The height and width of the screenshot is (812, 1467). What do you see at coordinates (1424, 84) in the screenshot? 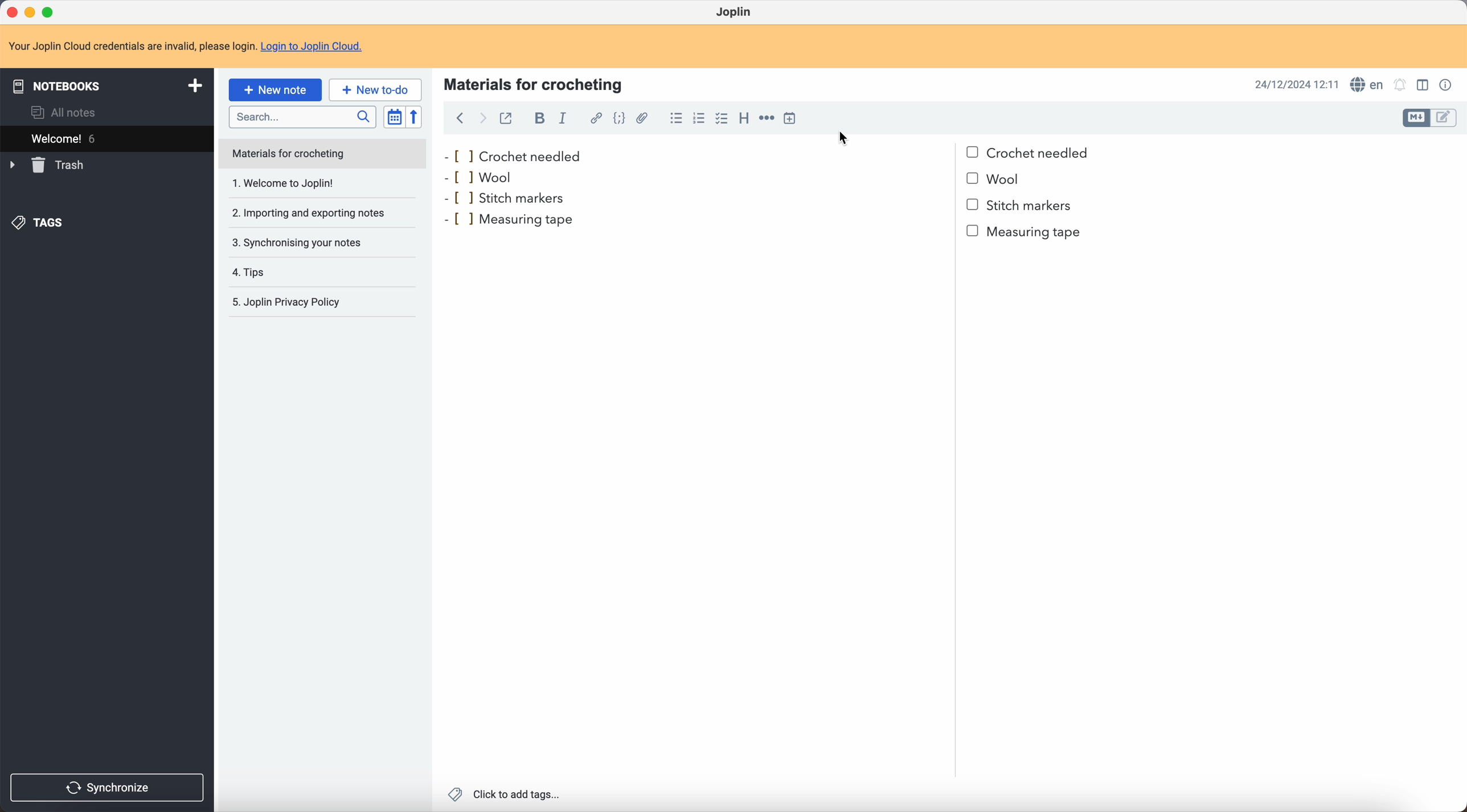
I see `toggle edit layout` at bounding box center [1424, 84].